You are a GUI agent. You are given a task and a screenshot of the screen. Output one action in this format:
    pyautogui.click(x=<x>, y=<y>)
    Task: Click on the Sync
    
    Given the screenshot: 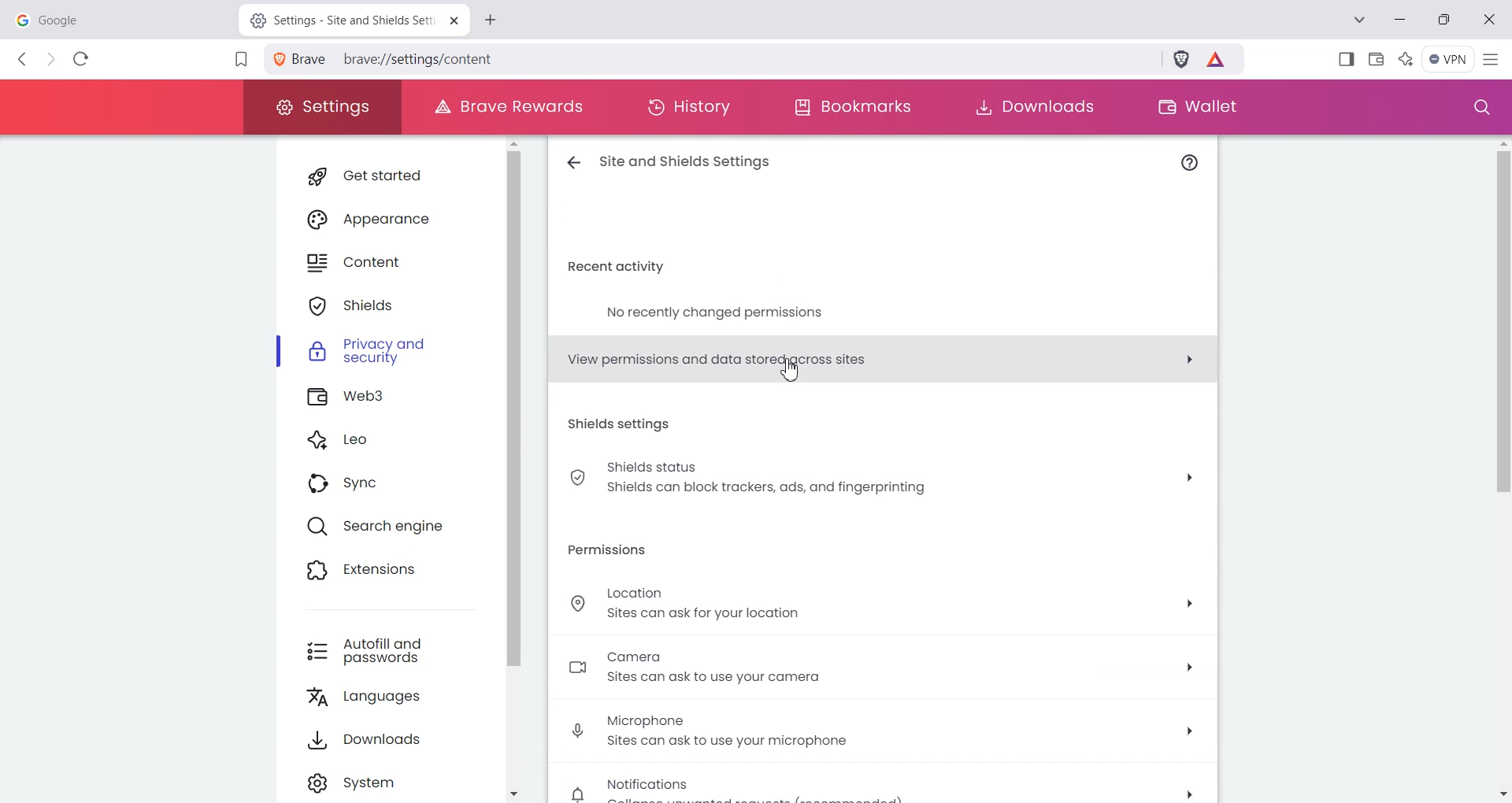 What is the action you would take?
    pyautogui.click(x=387, y=485)
    